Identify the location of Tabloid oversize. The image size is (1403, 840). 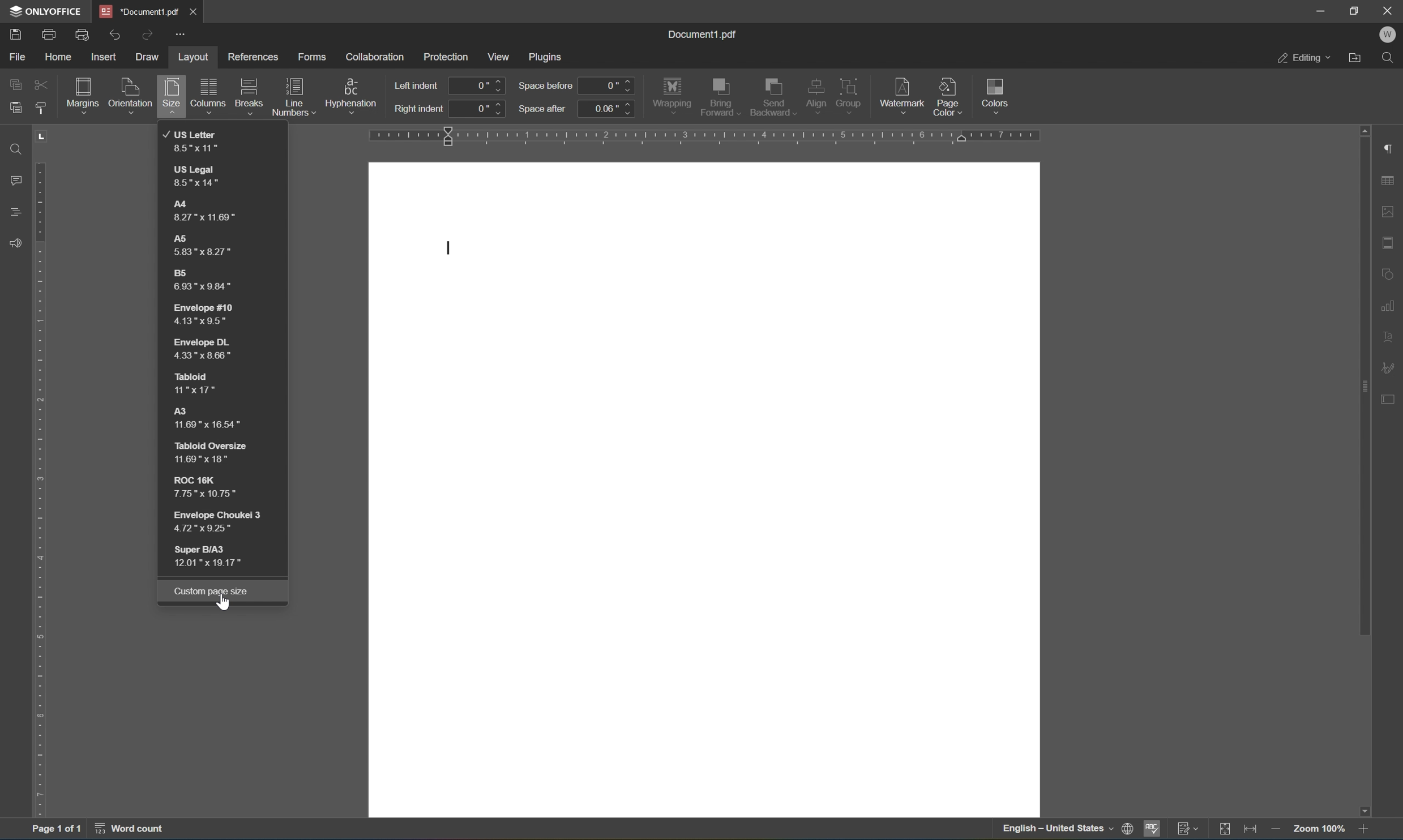
(207, 452).